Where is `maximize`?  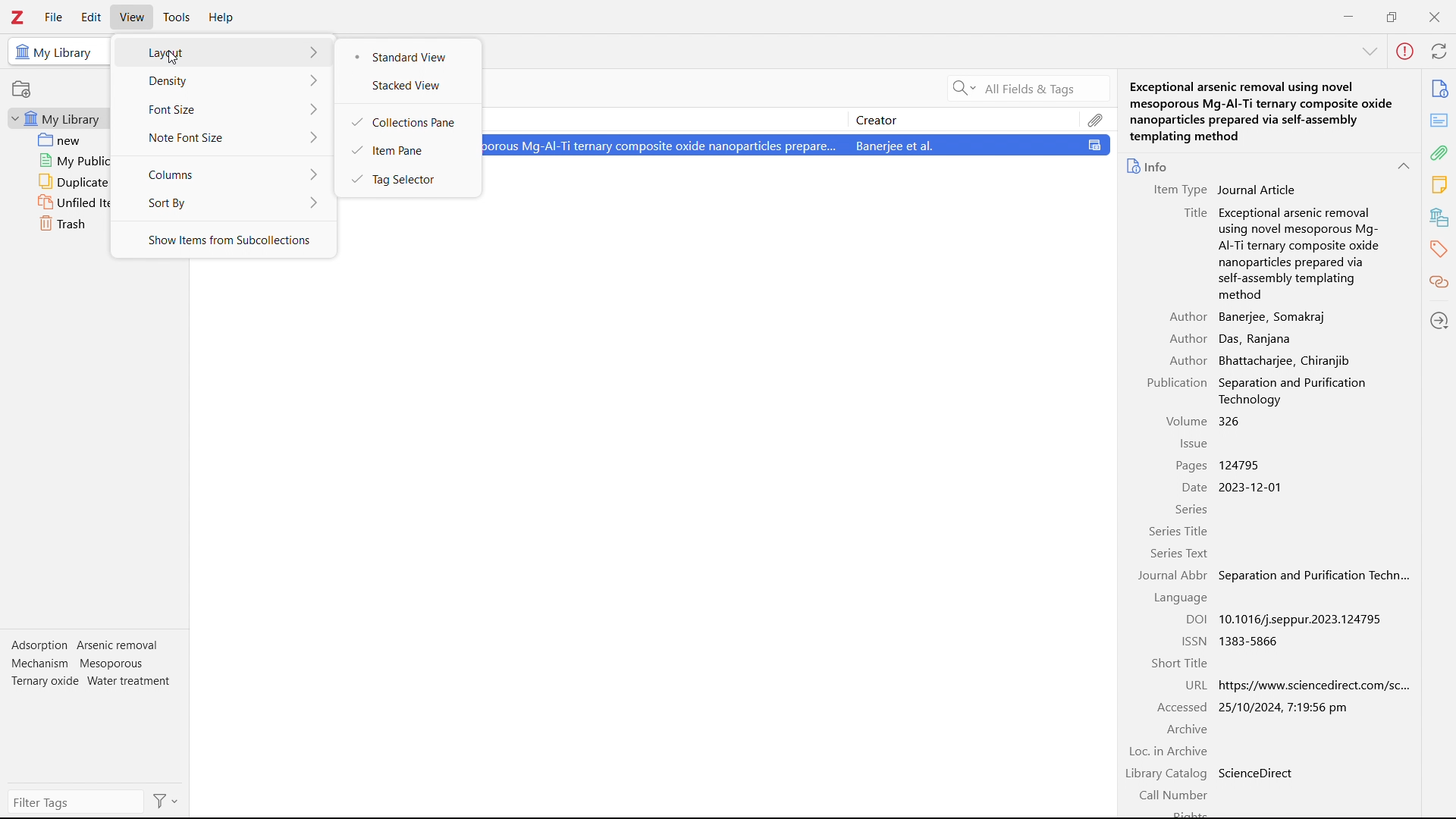 maximize is located at coordinates (1392, 15).